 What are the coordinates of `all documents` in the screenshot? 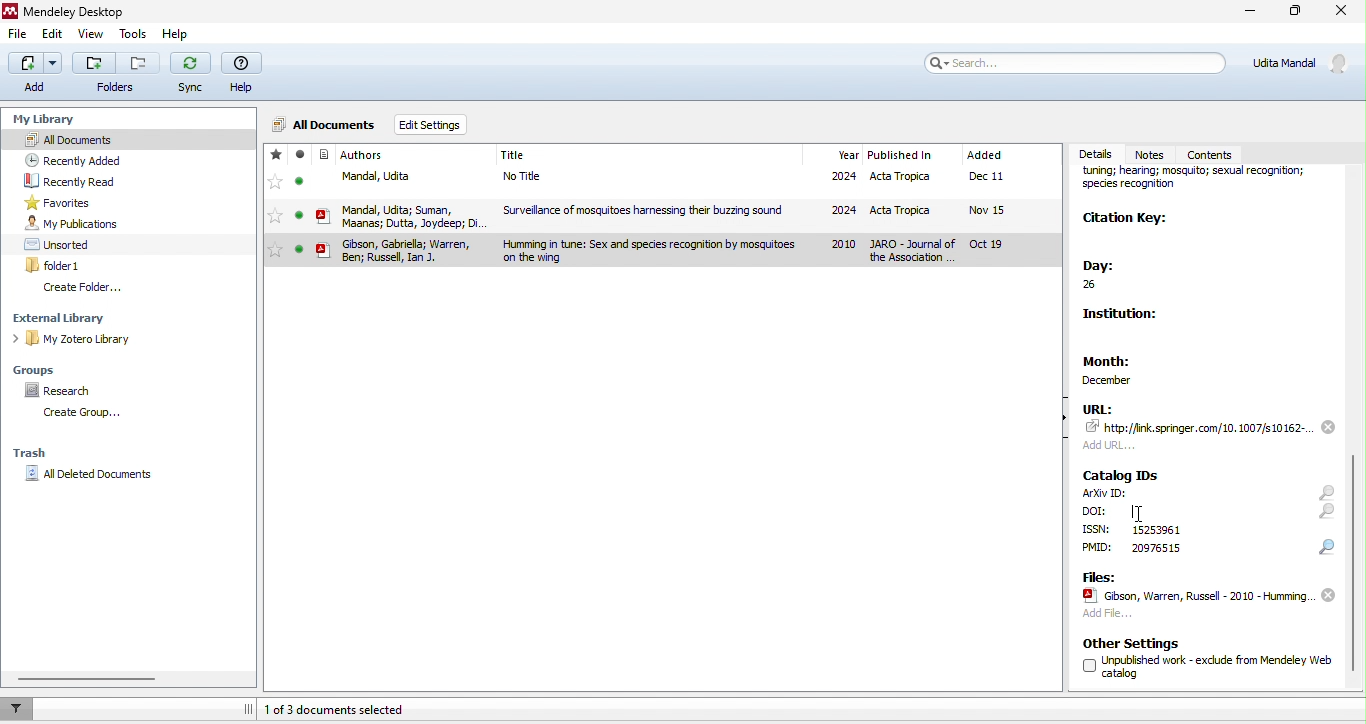 It's located at (325, 122).